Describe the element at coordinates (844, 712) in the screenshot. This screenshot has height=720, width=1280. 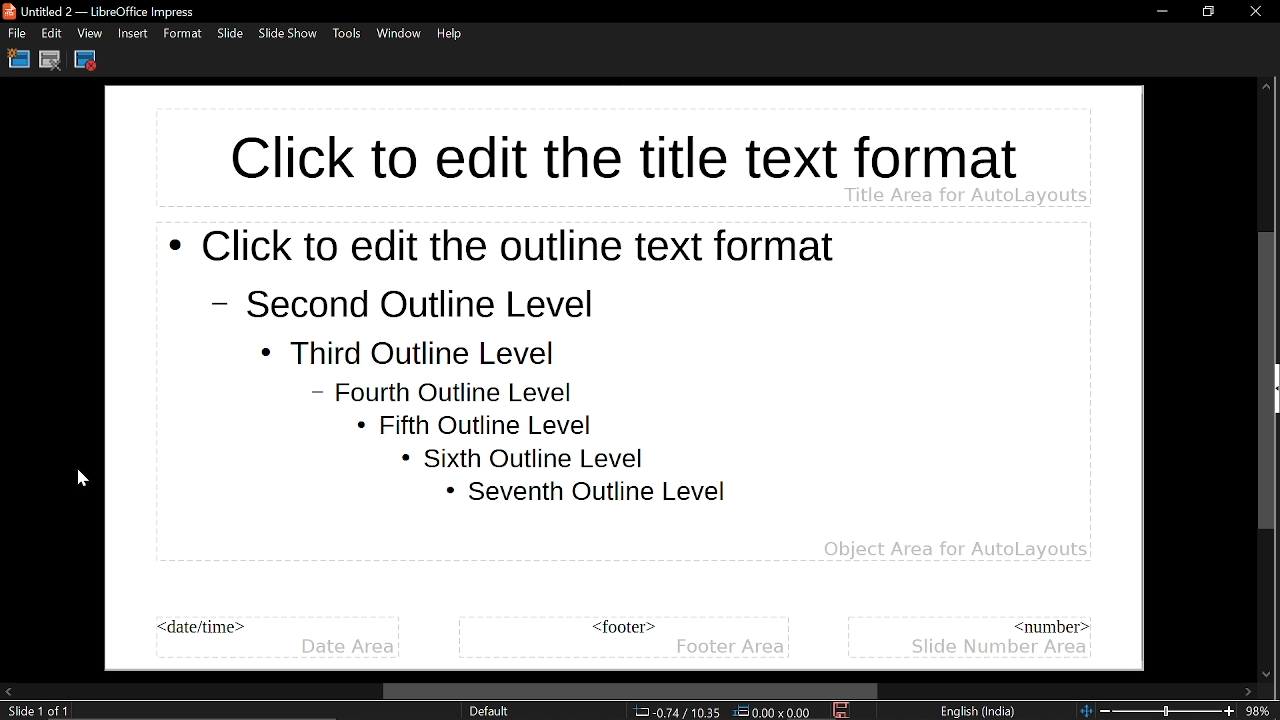
I see `Save` at that location.